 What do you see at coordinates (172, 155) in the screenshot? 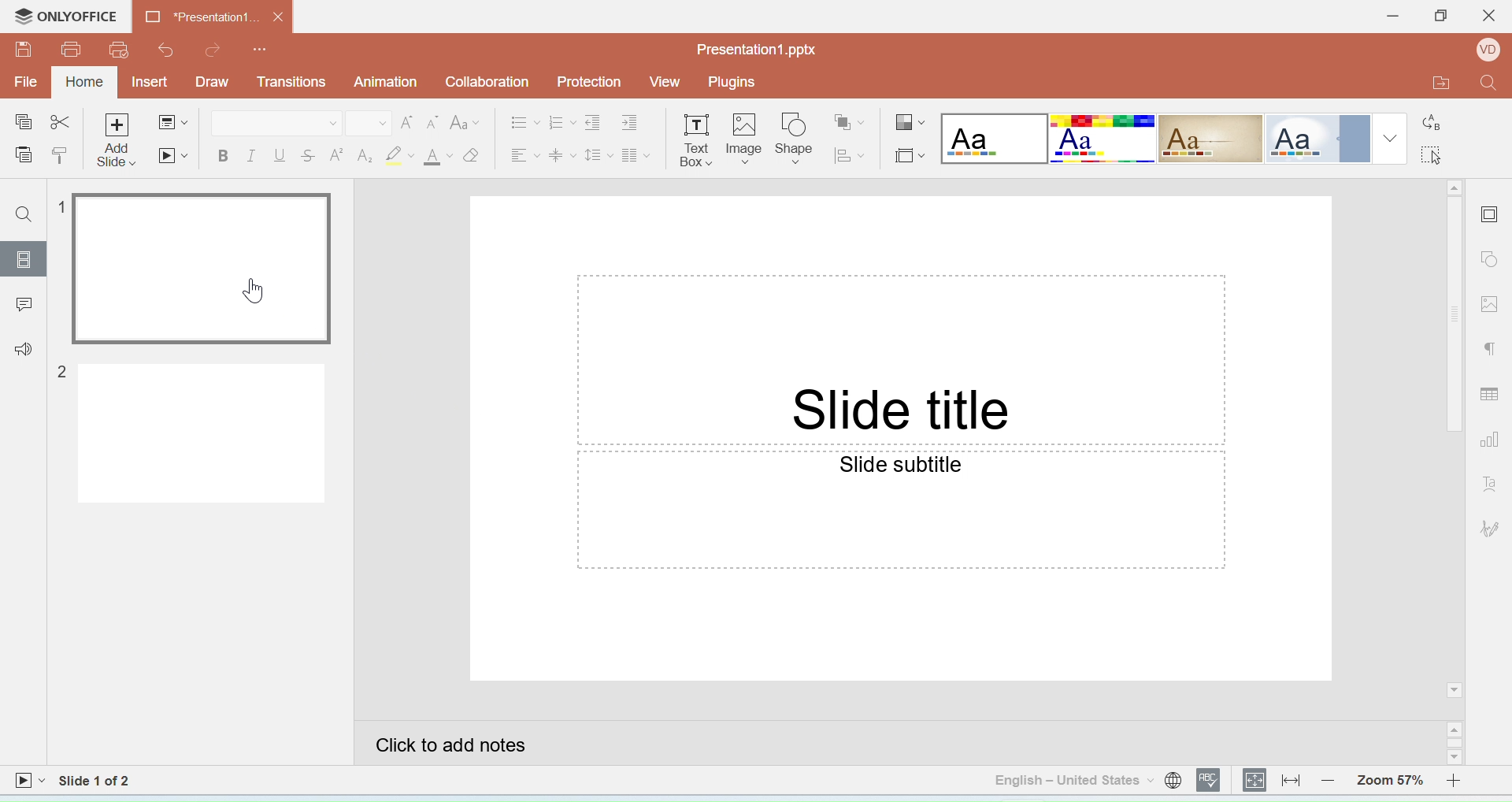
I see `Start slideshow` at bounding box center [172, 155].